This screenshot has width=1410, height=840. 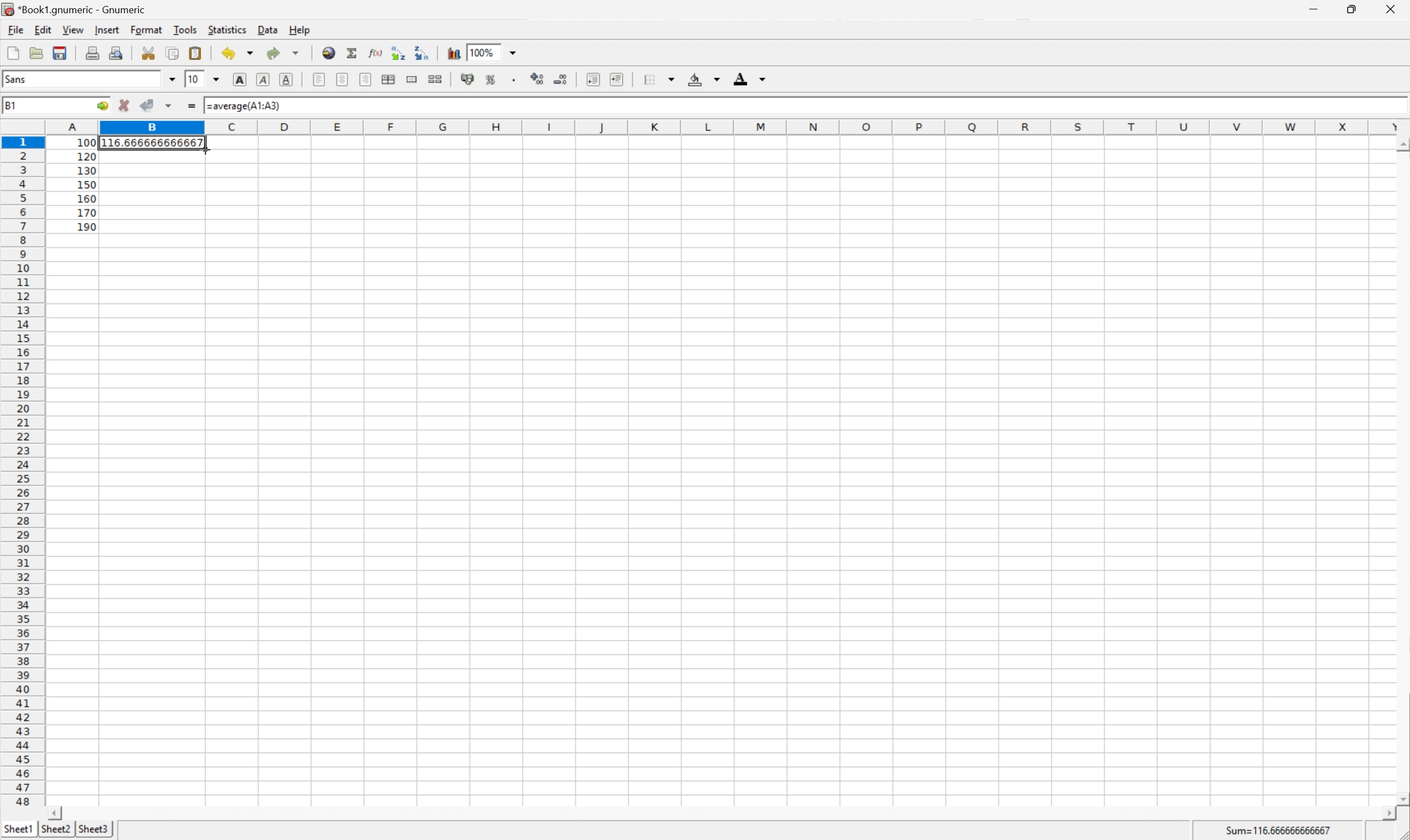 I want to click on =average(A1:A3), so click(x=244, y=106).